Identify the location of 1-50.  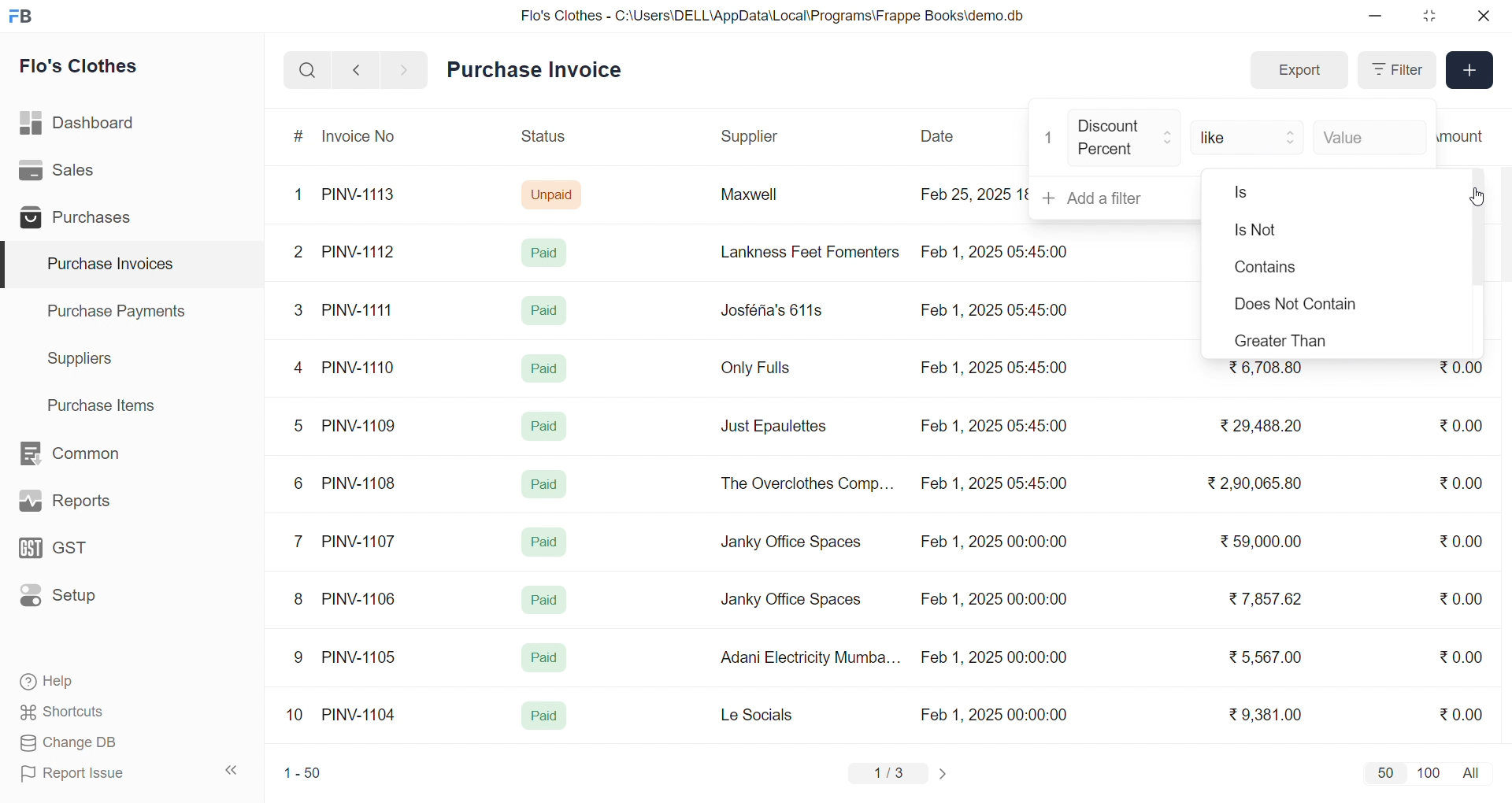
(302, 775).